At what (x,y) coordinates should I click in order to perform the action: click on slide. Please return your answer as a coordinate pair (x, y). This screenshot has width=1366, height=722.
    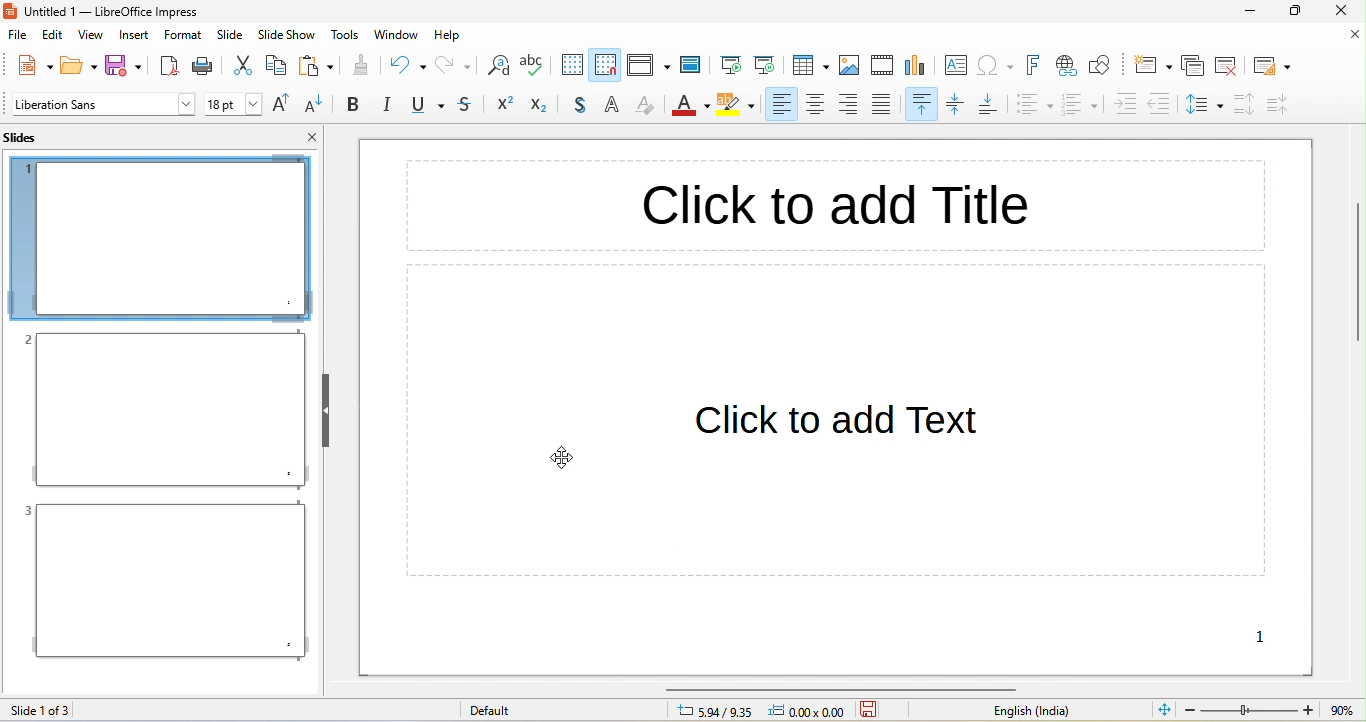
    Looking at the image, I should click on (232, 34).